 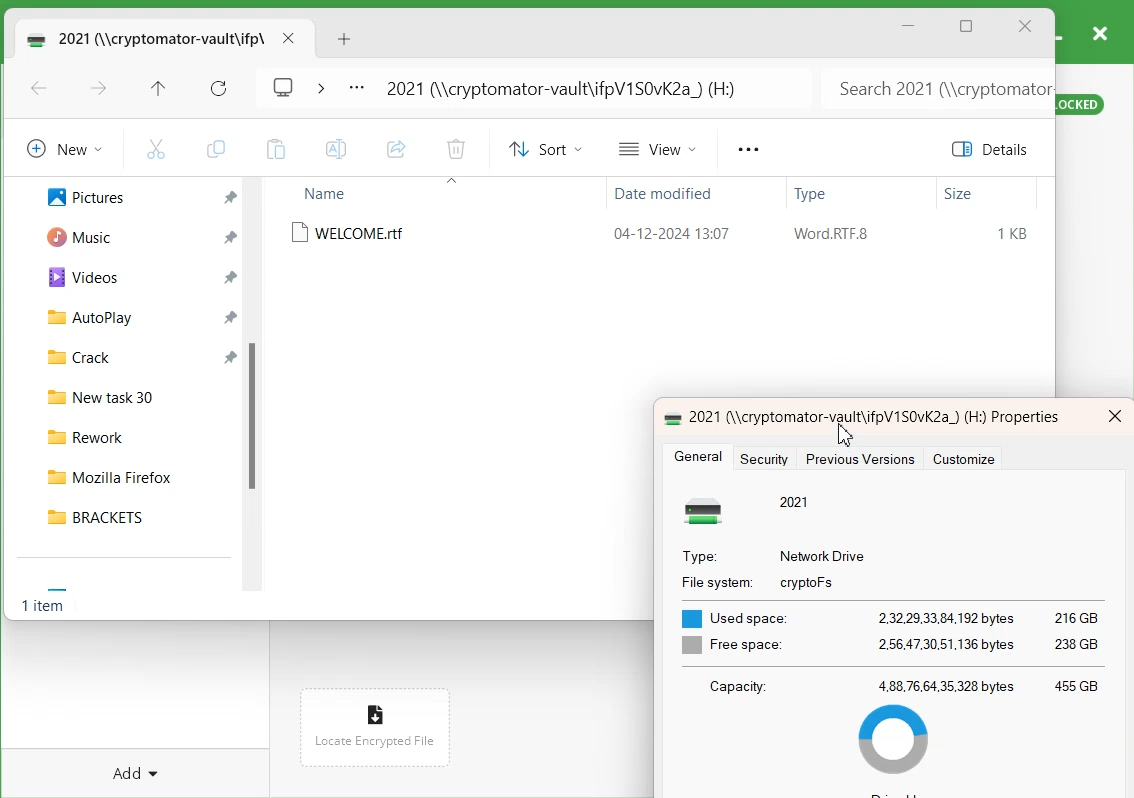 I want to click on More, so click(x=356, y=89).